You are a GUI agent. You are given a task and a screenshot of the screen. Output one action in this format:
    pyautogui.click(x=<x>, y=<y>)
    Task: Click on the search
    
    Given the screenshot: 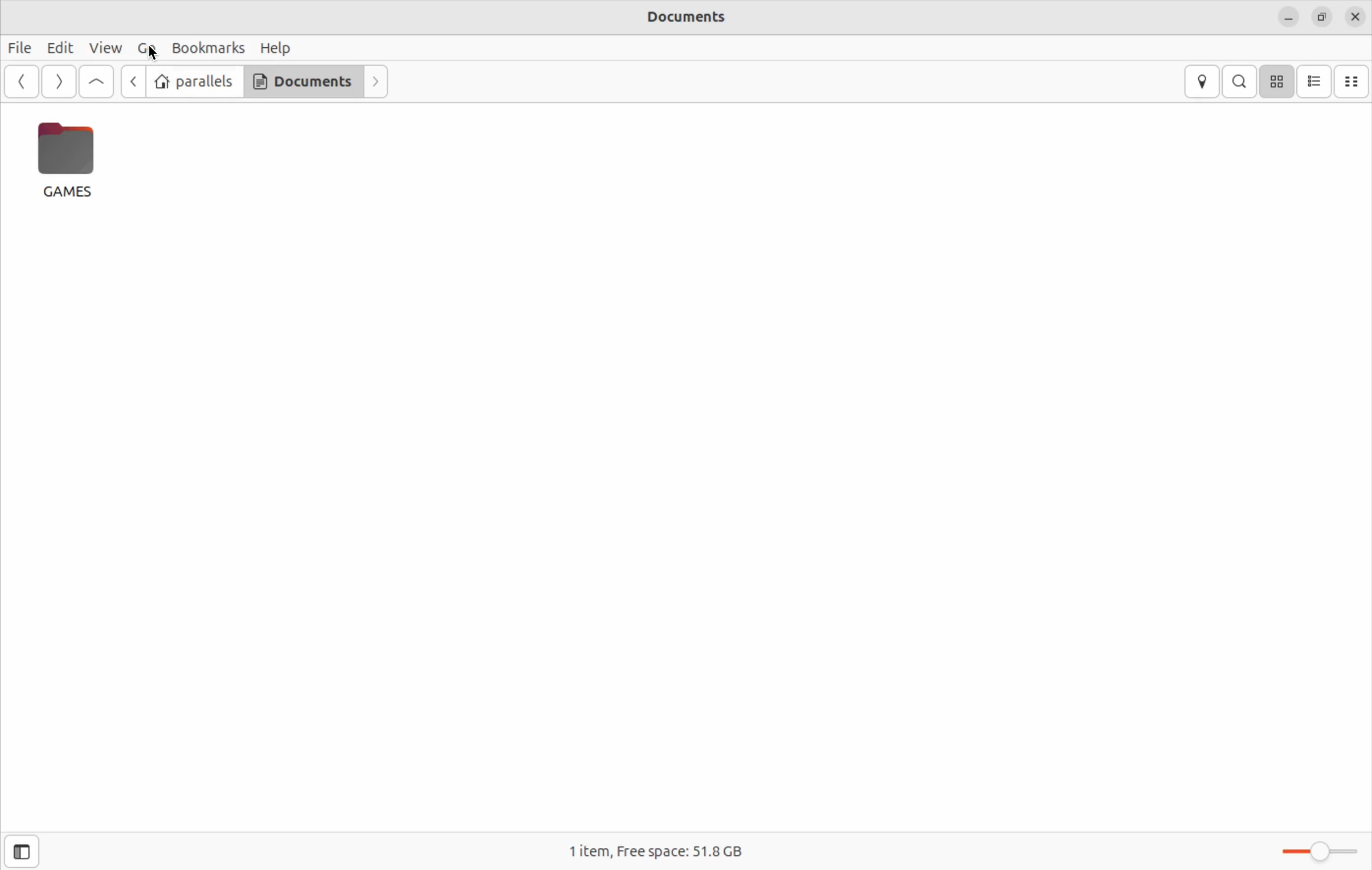 What is the action you would take?
    pyautogui.click(x=1240, y=83)
    